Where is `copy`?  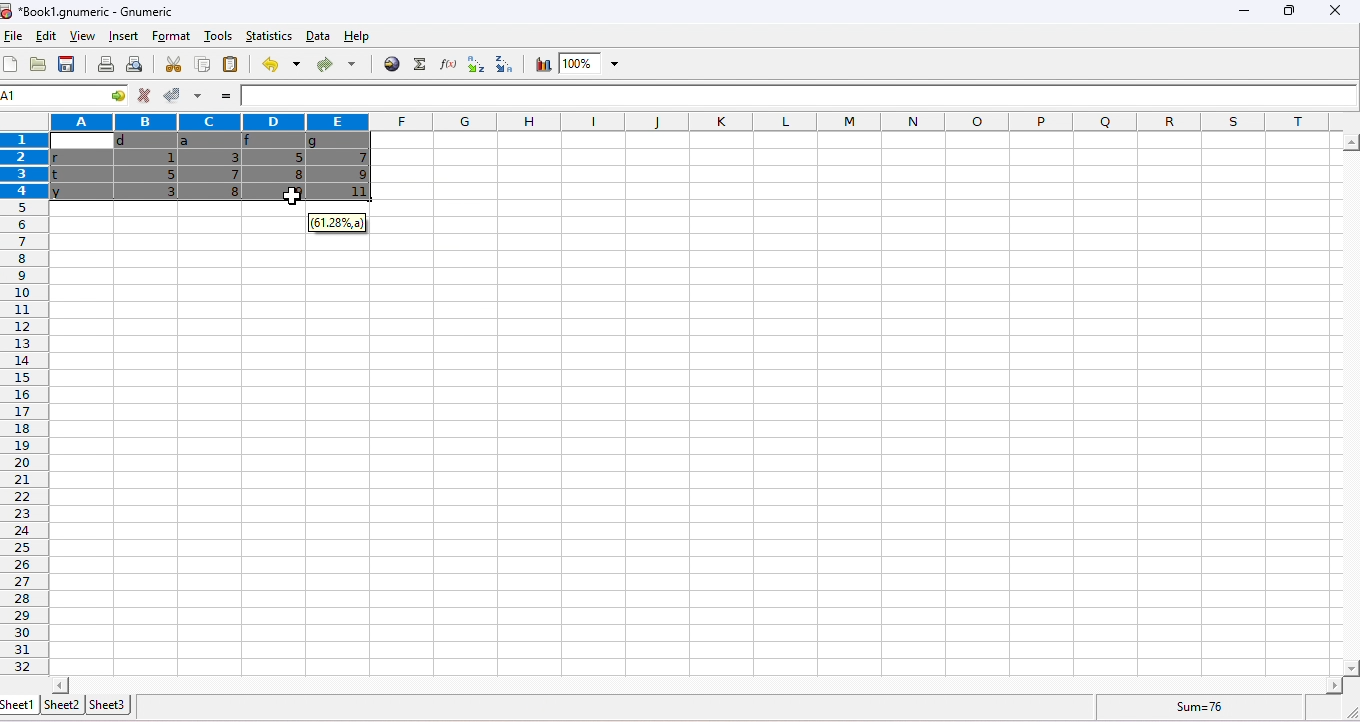 copy is located at coordinates (201, 64).